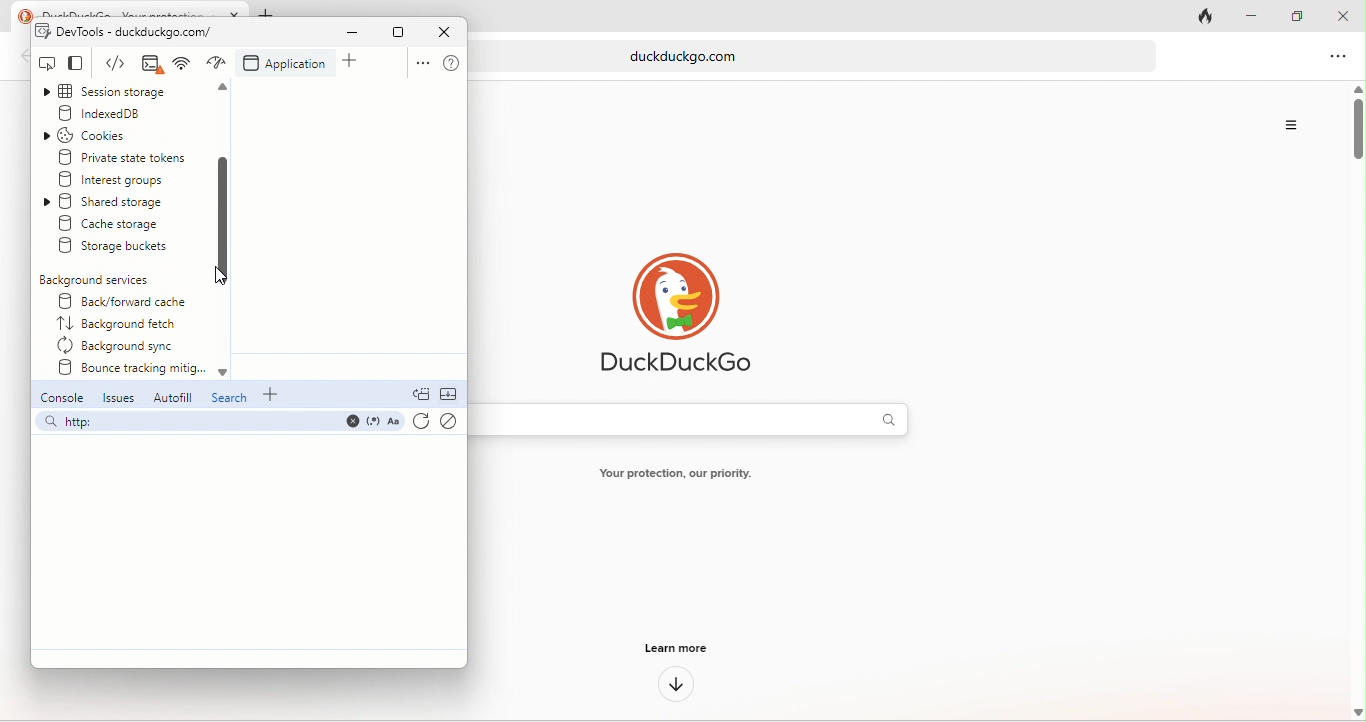  What do you see at coordinates (1289, 13) in the screenshot?
I see `maximize` at bounding box center [1289, 13].